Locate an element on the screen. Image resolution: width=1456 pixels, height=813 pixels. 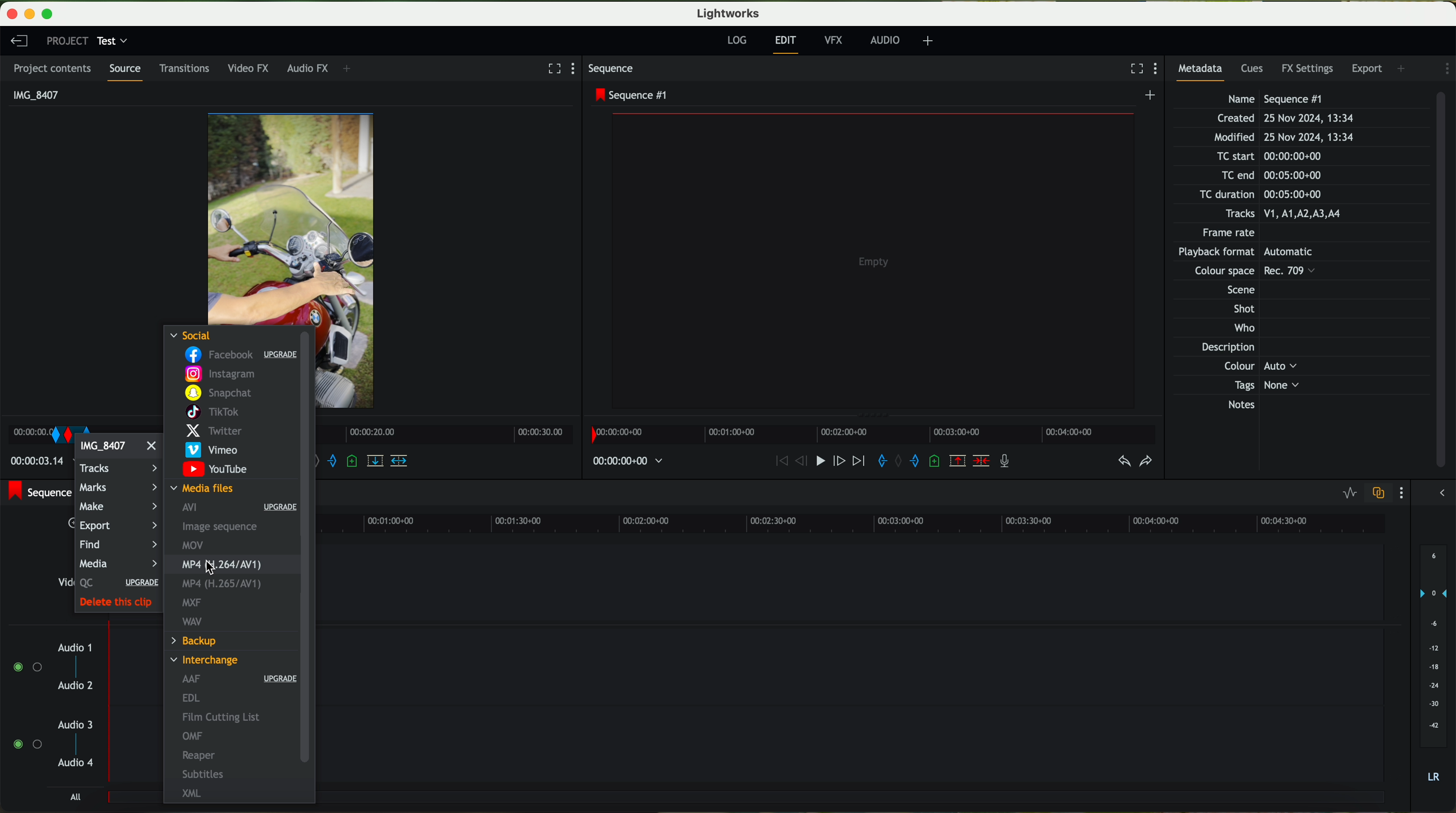
Tracks is located at coordinates (1281, 214).